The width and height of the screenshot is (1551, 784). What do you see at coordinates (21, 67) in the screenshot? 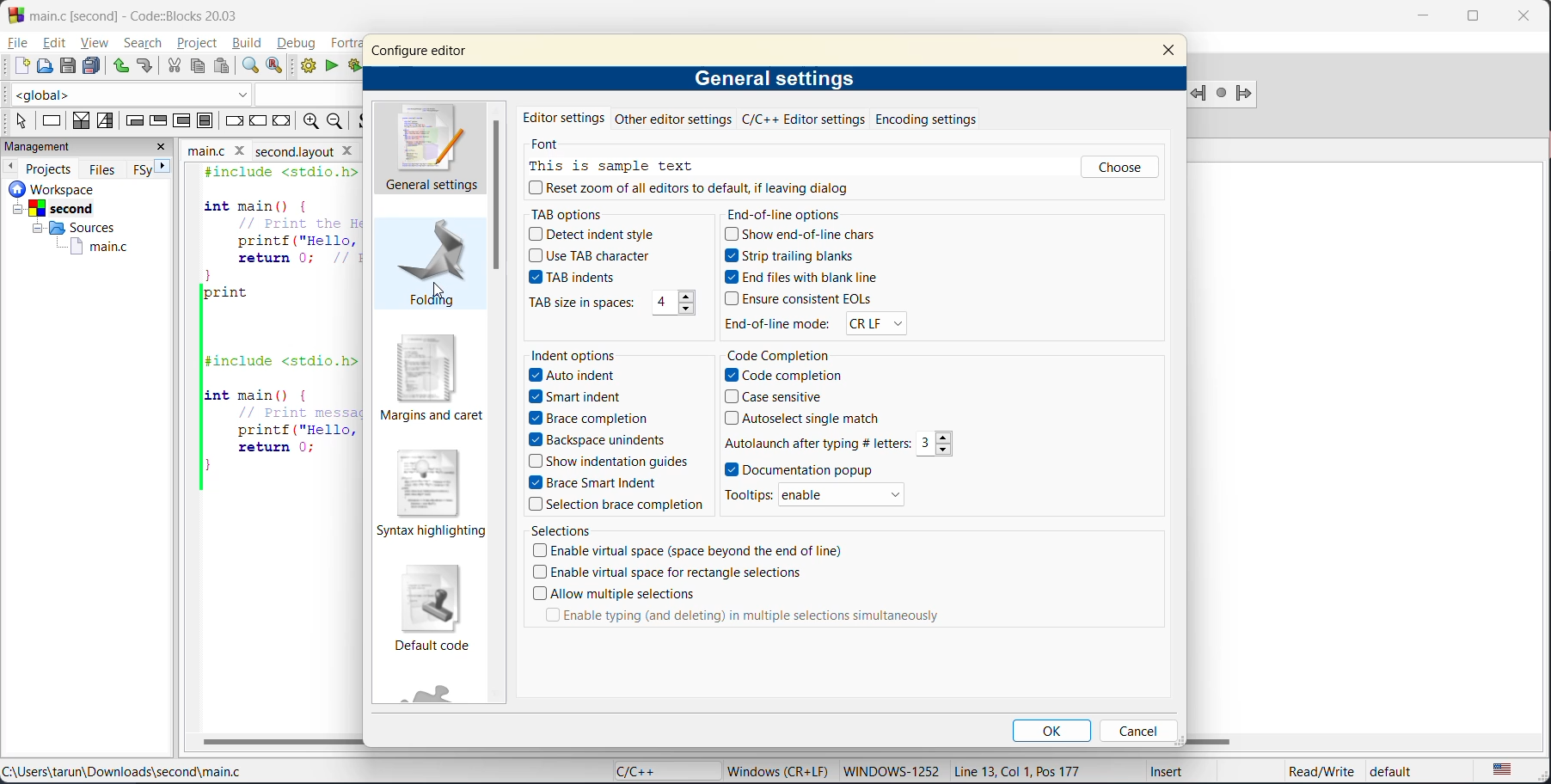
I see `new` at bounding box center [21, 67].